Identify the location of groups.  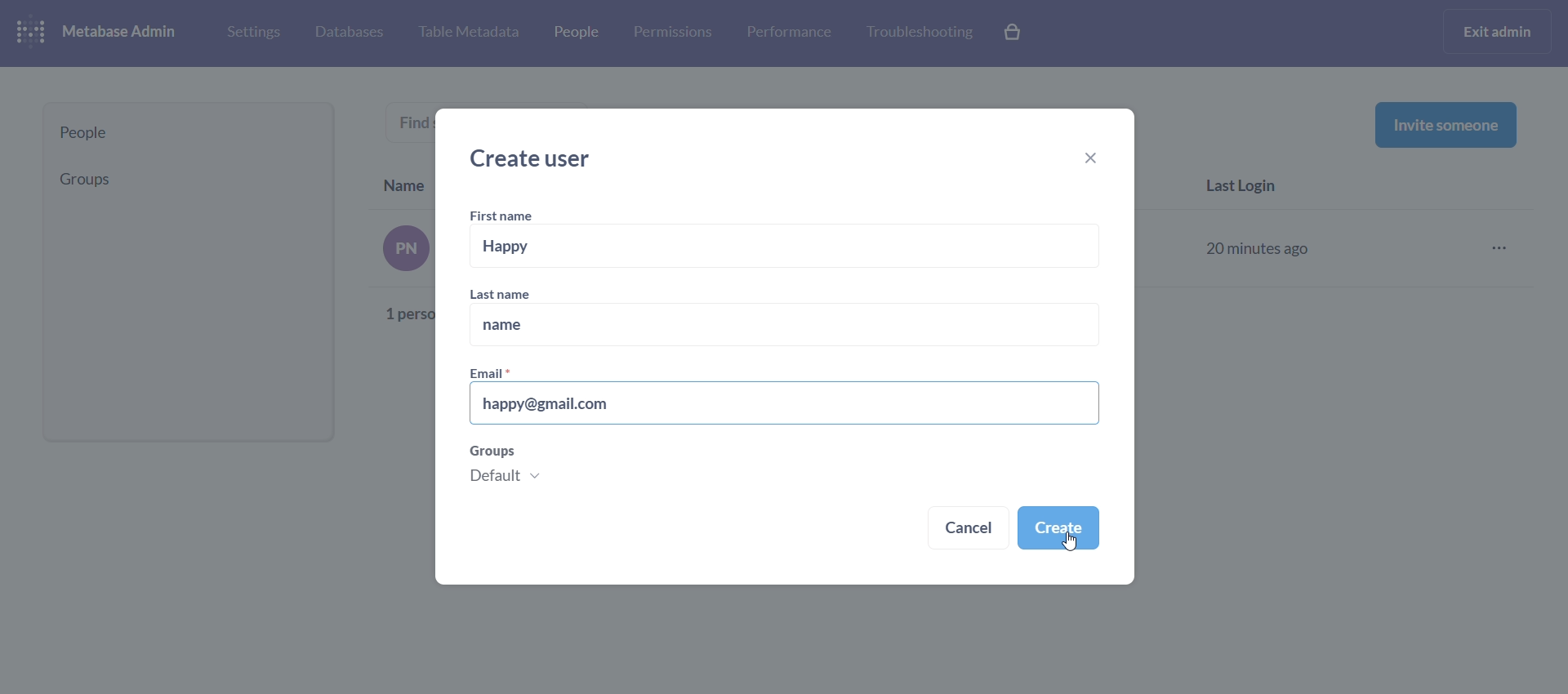
(510, 469).